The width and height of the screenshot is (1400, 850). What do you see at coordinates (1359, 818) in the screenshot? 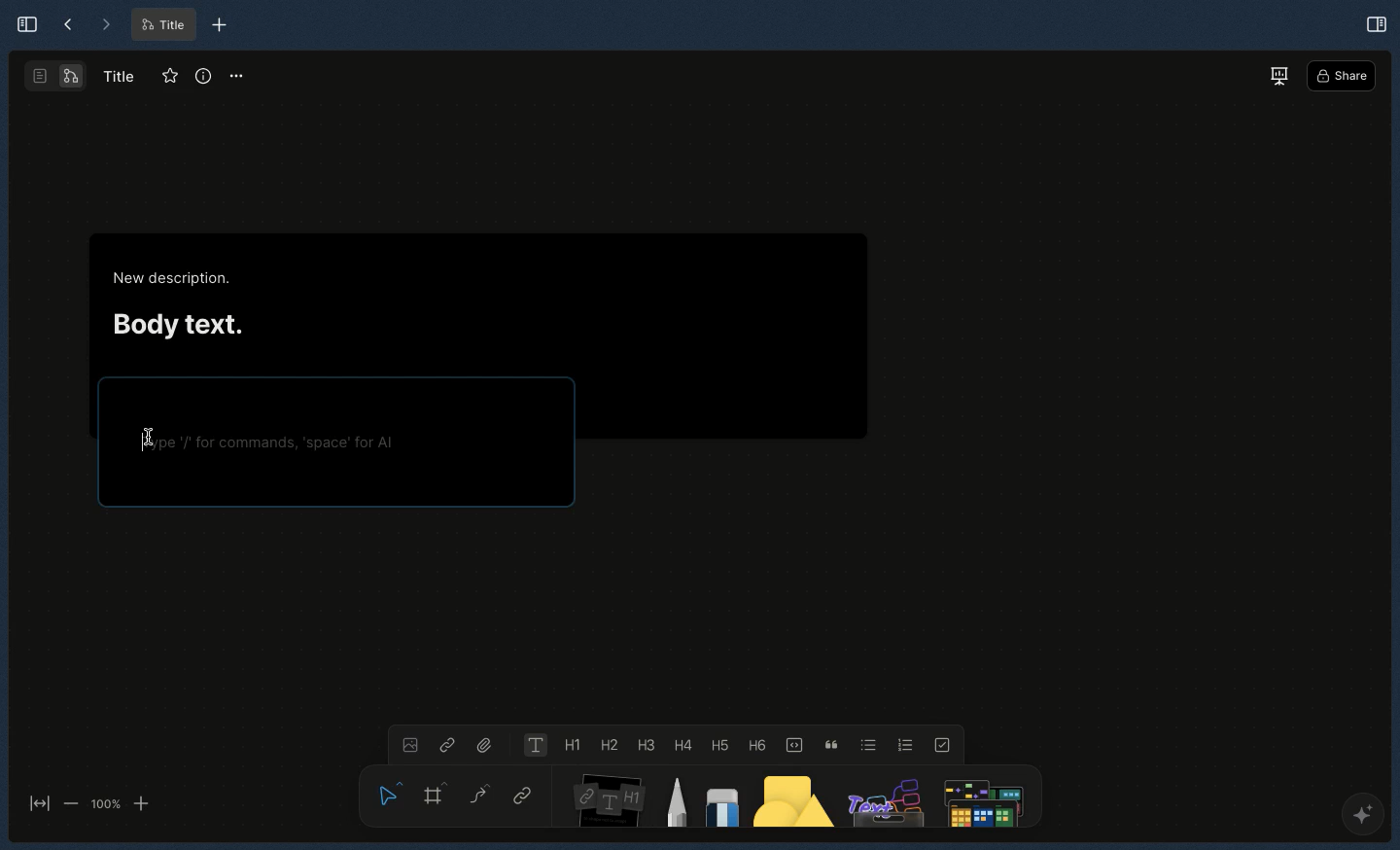
I see `AFFINE AI` at bounding box center [1359, 818].